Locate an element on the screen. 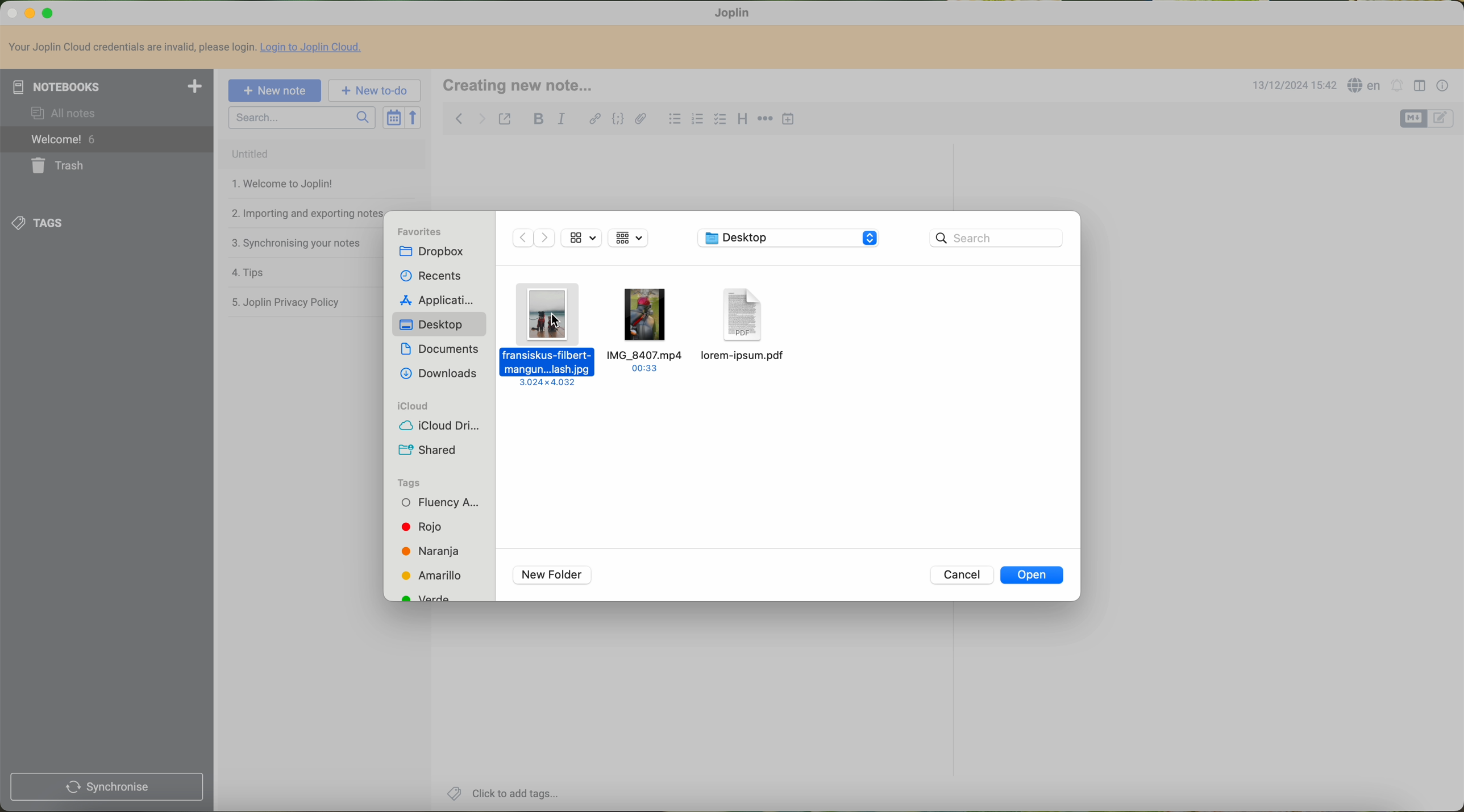  yellow tag is located at coordinates (436, 576).